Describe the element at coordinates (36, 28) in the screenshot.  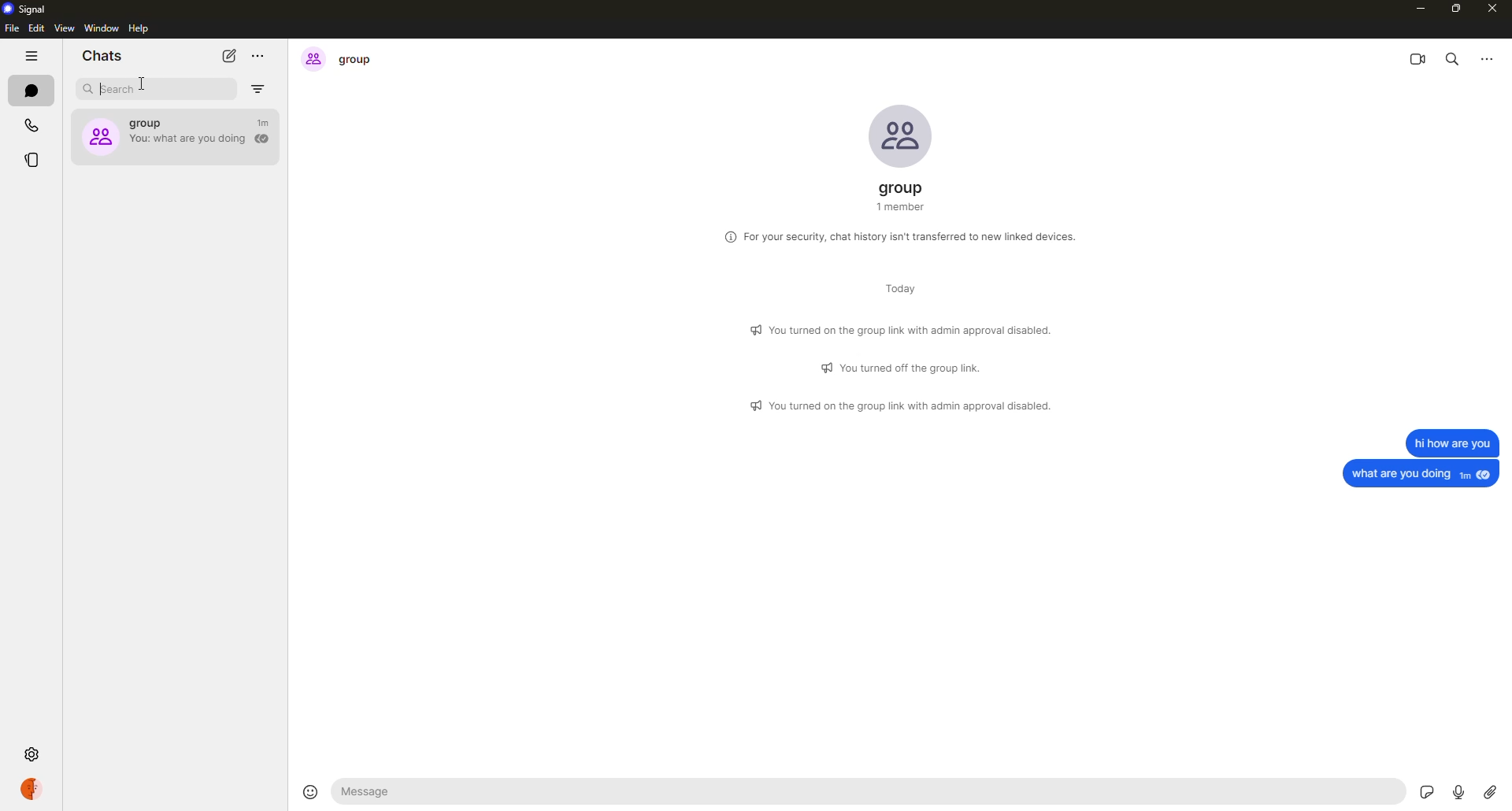
I see `edit` at that location.